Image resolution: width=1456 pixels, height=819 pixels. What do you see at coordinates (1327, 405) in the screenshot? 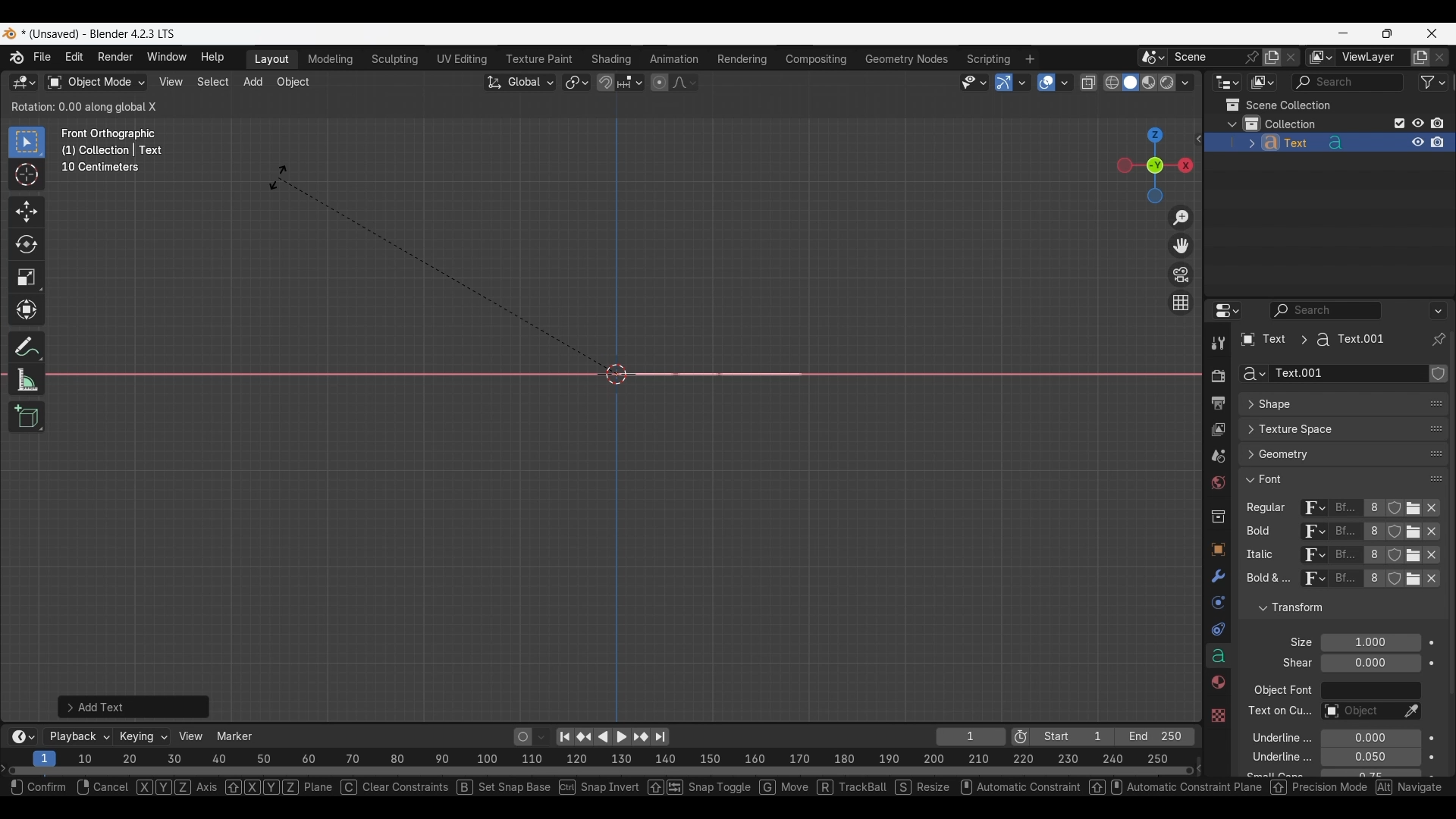
I see `Click to expand Shape` at bounding box center [1327, 405].